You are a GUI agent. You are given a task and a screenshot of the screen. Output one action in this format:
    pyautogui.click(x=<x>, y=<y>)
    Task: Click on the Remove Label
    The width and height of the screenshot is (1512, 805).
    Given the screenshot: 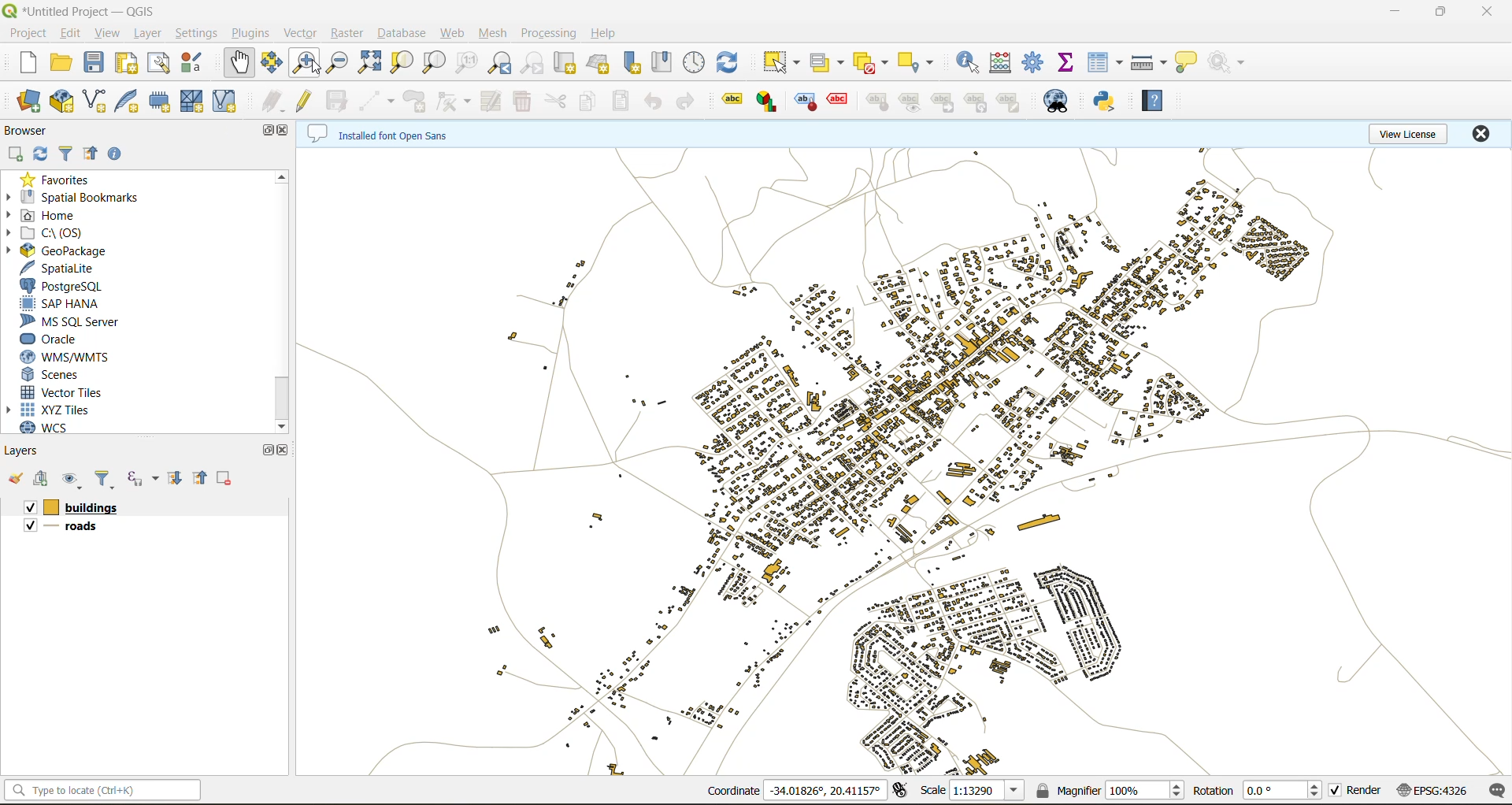 What is the action you would take?
    pyautogui.click(x=842, y=103)
    